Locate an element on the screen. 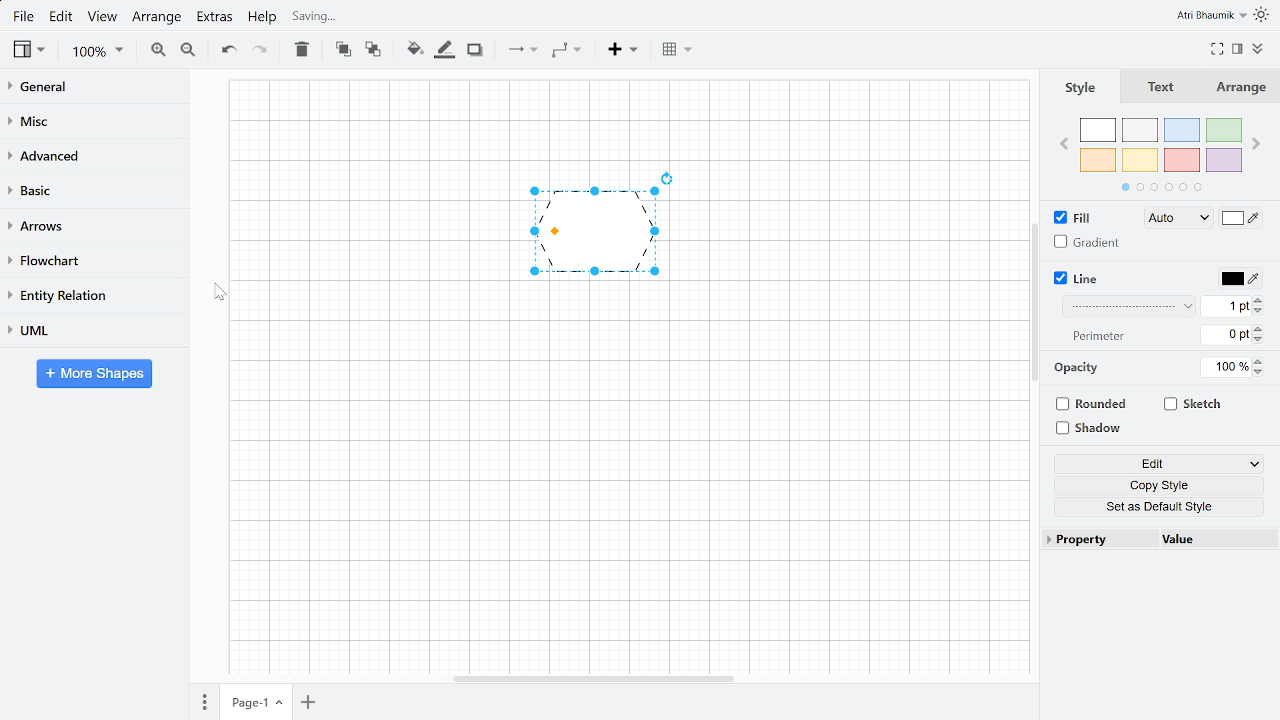 This screenshot has width=1280, height=720. Rotate is located at coordinates (668, 178).